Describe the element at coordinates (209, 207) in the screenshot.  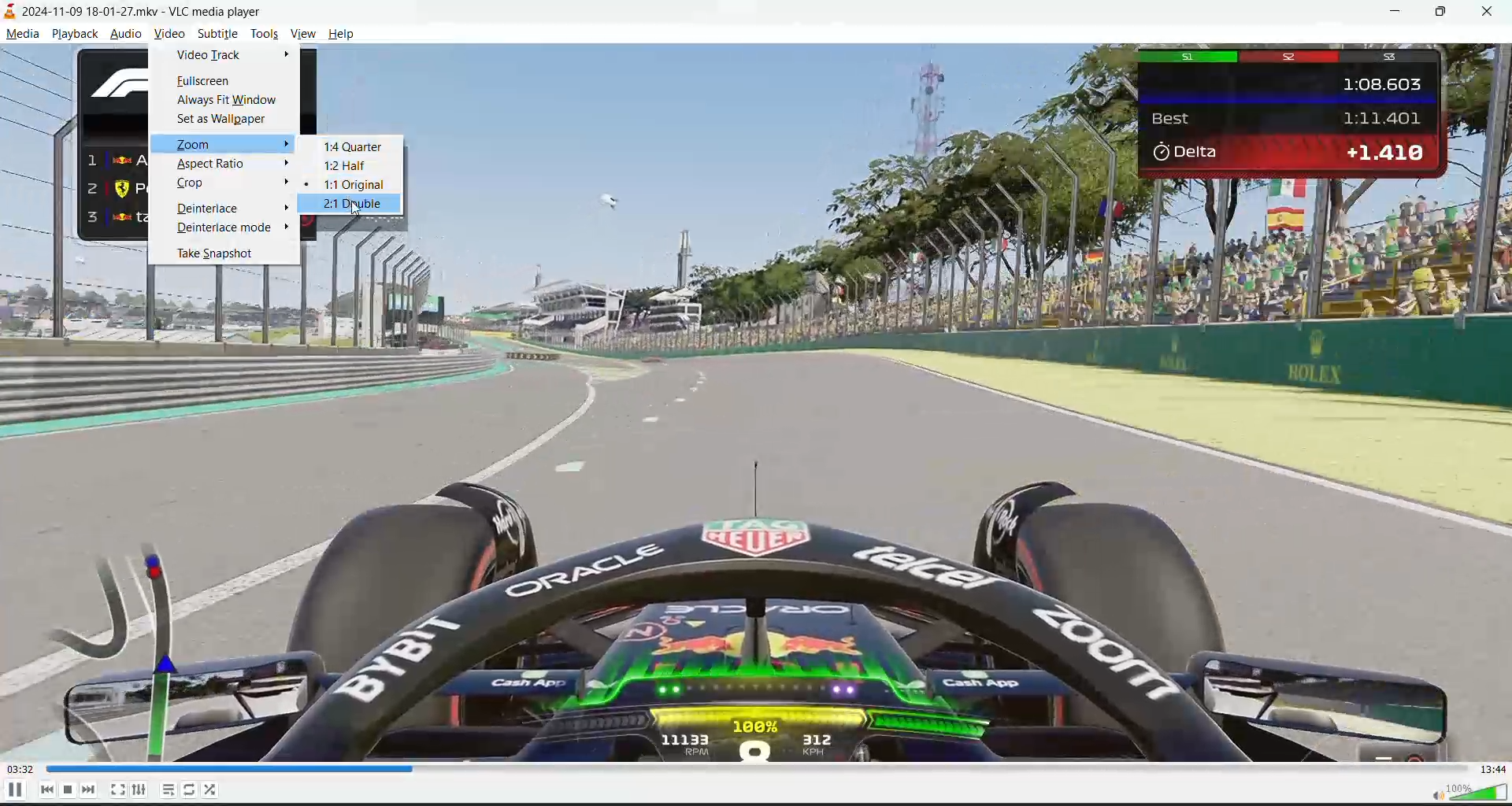
I see `deinterlace` at that location.